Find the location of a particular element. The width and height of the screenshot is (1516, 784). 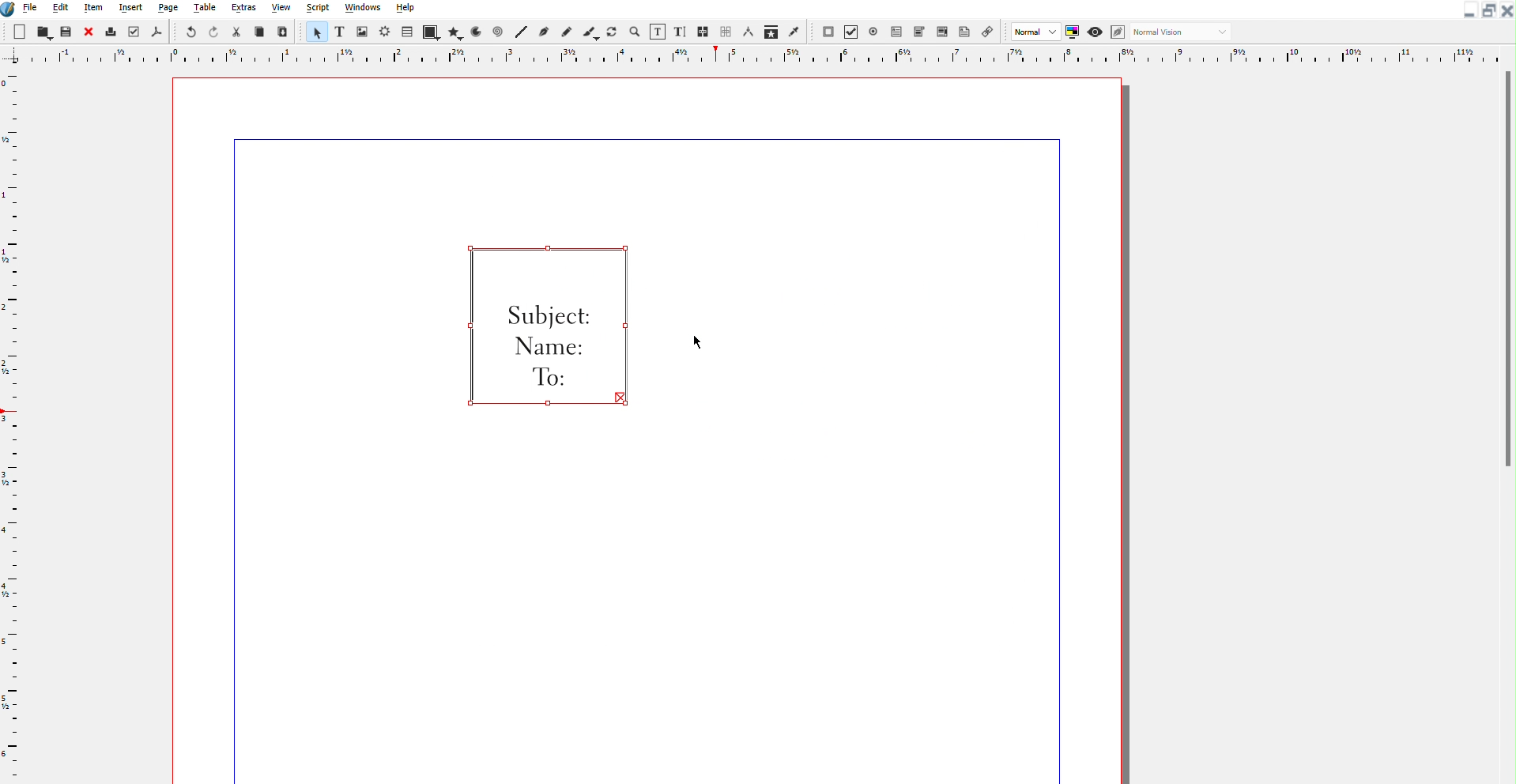

Script is located at coordinates (317, 9).